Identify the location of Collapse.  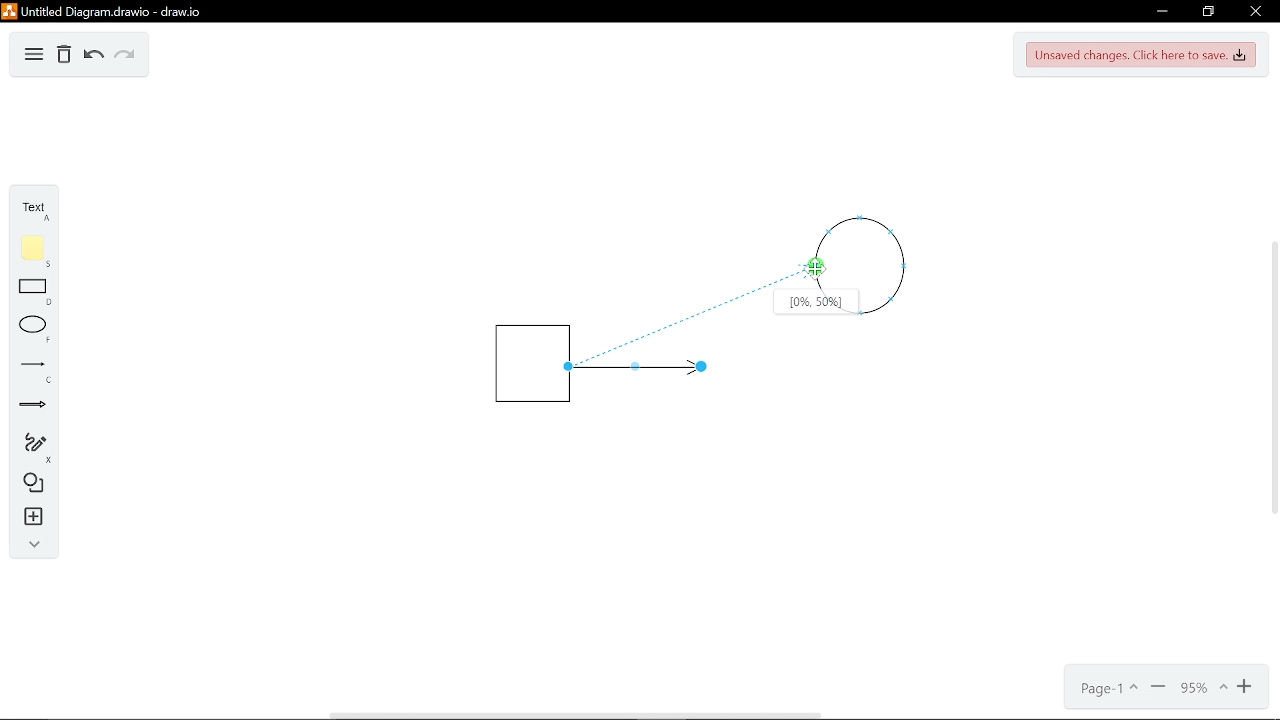
(28, 544).